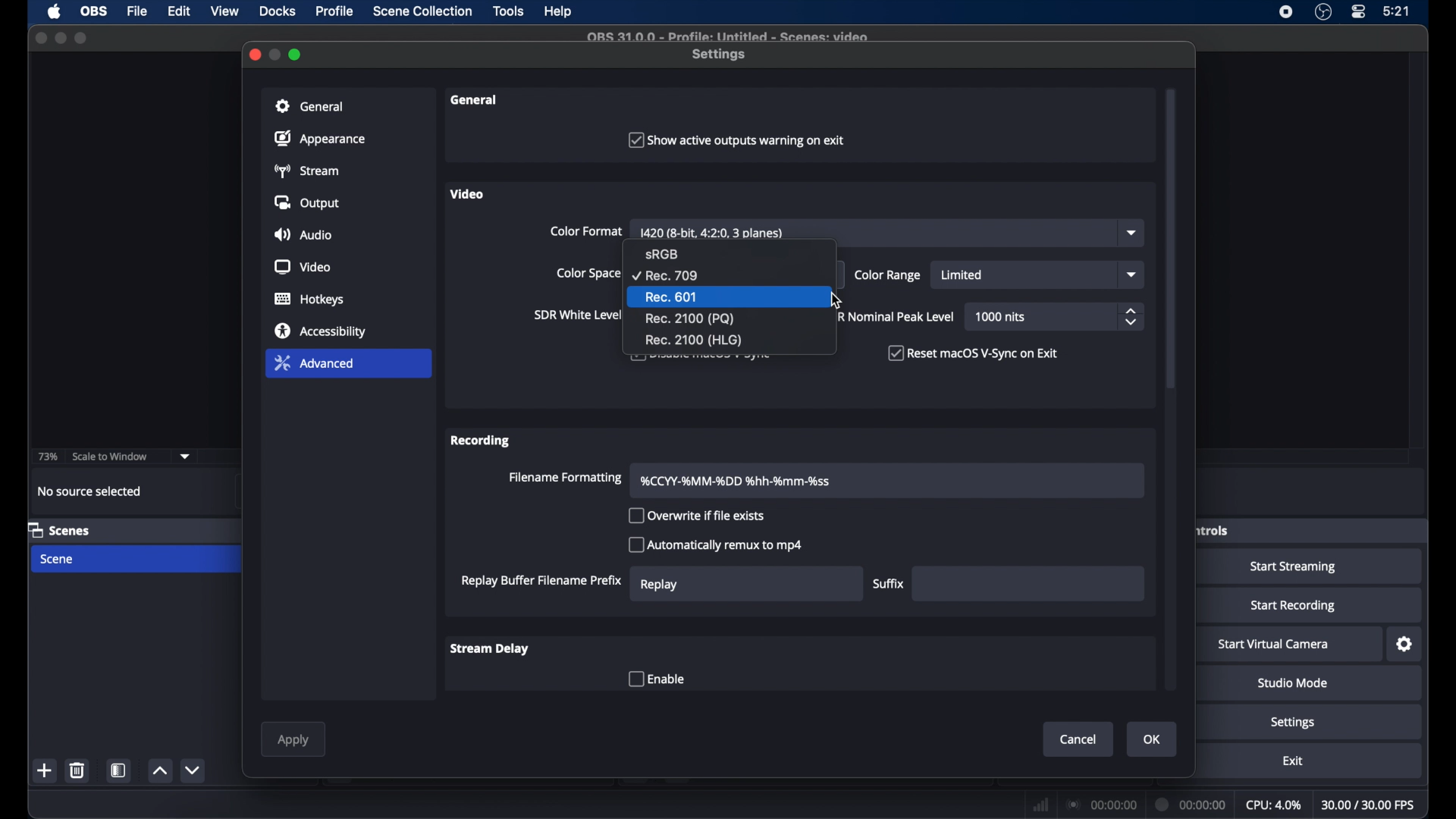  I want to click on appearance, so click(320, 140).